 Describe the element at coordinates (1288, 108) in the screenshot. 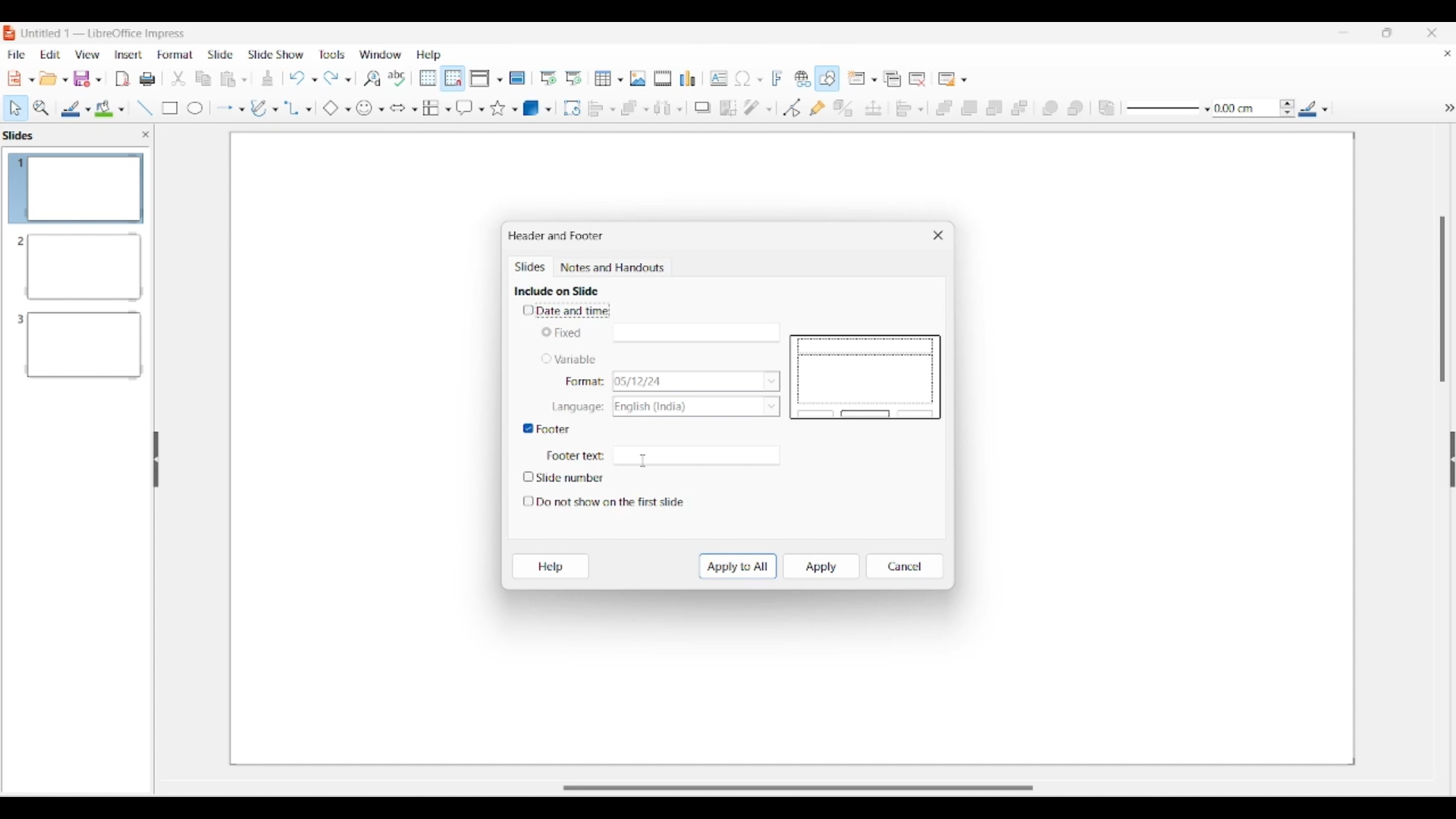

I see `Increase/Decrease line thickness` at that location.